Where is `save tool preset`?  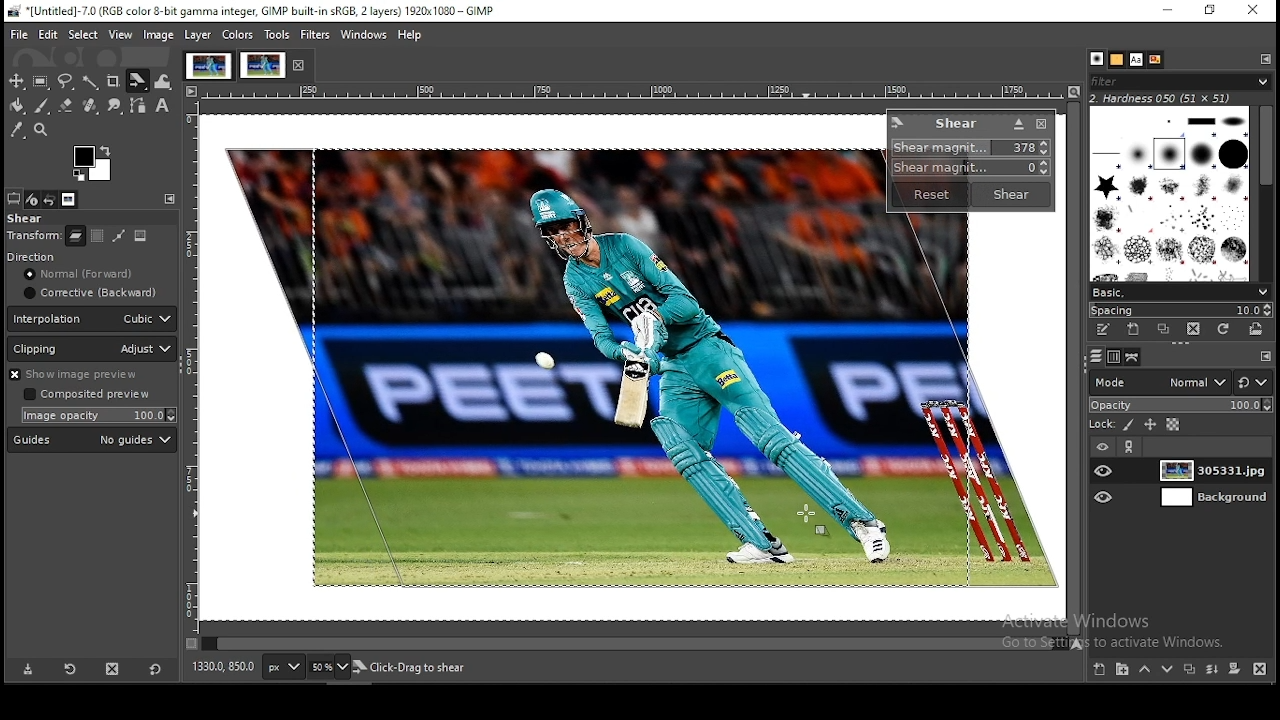 save tool preset is located at coordinates (26, 670).